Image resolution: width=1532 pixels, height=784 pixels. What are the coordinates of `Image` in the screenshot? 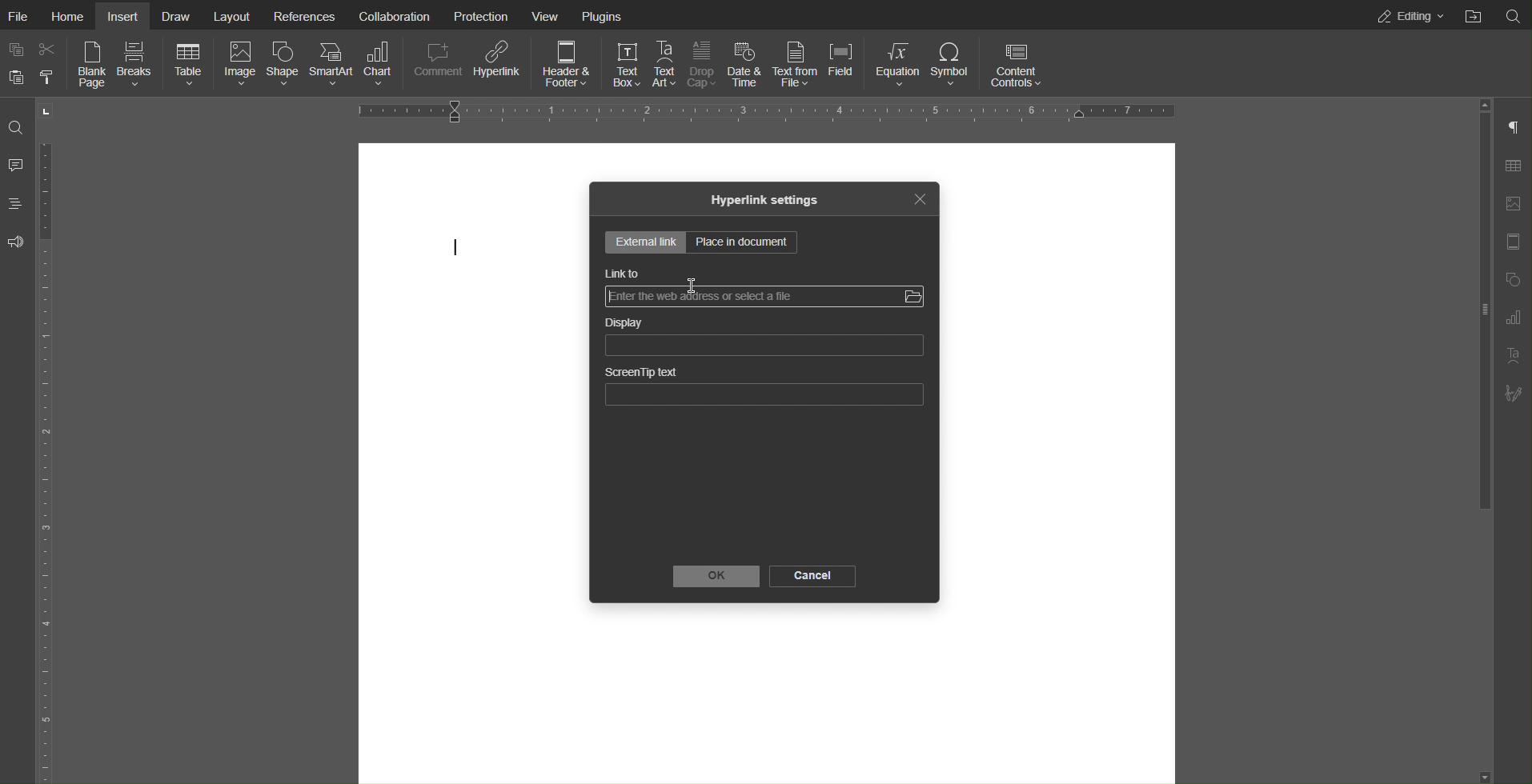 It's located at (241, 65).